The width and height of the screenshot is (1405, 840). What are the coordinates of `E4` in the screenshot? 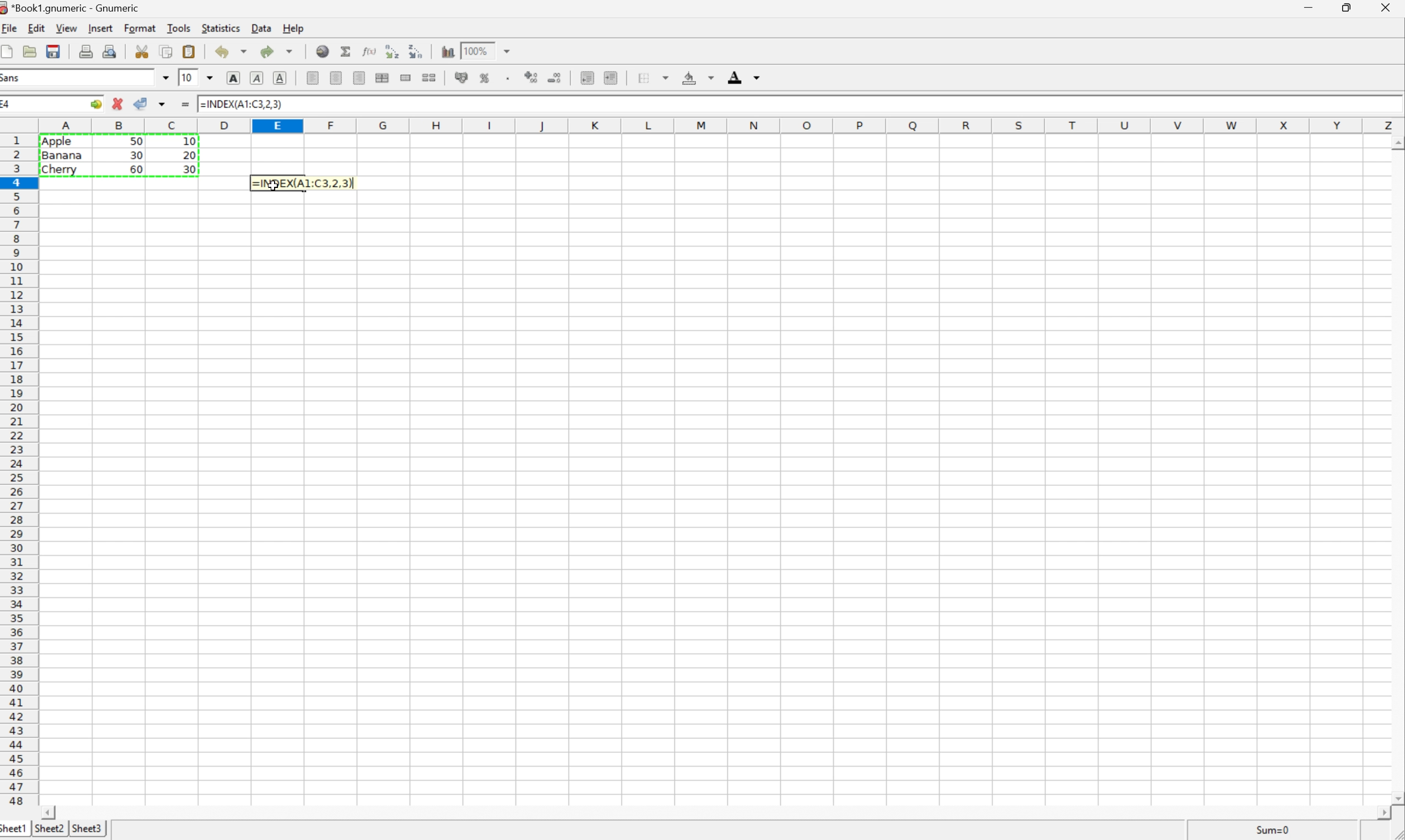 It's located at (10, 104).